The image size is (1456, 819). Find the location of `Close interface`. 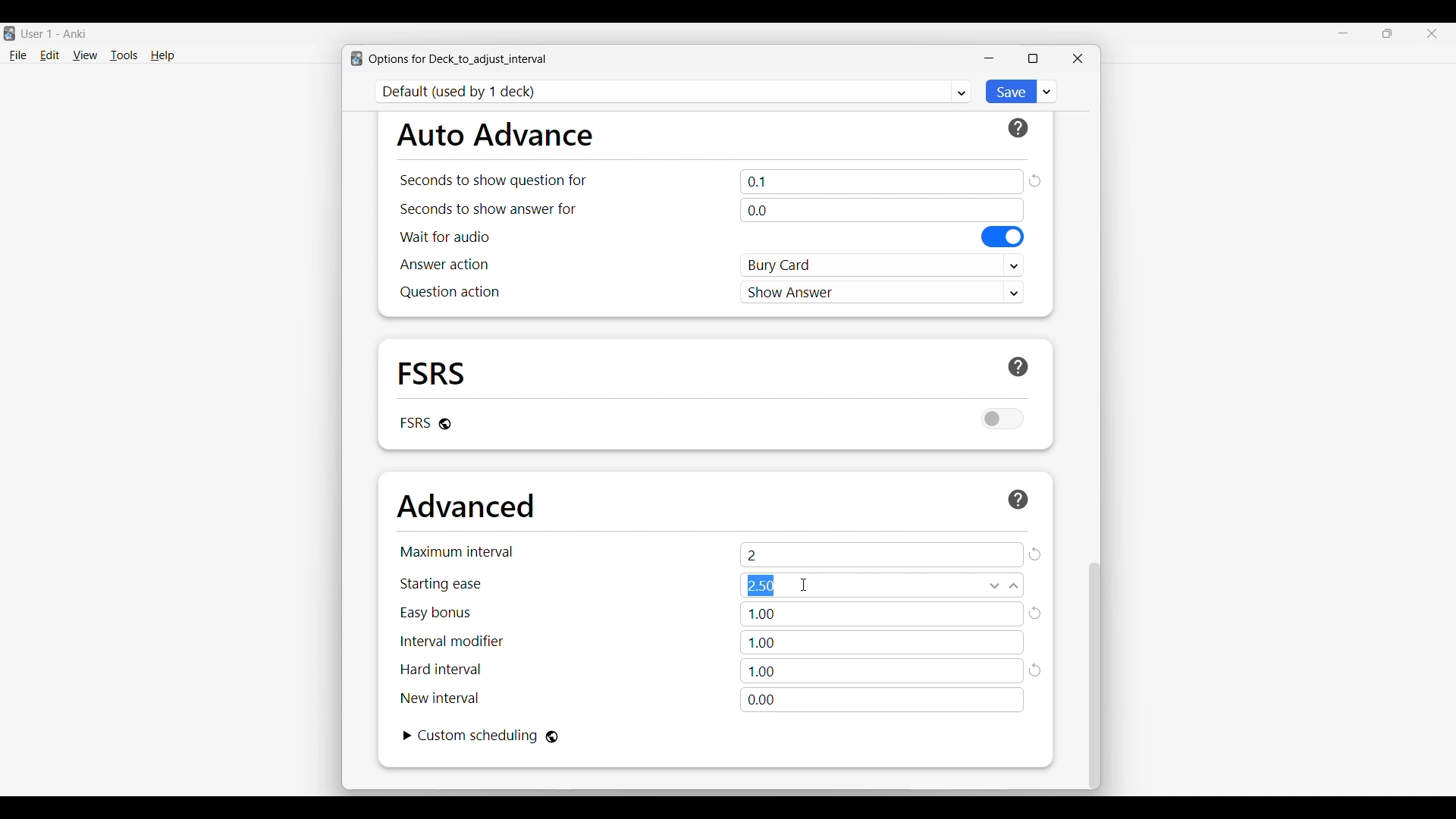

Close interface is located at coordinates (1432, 33).